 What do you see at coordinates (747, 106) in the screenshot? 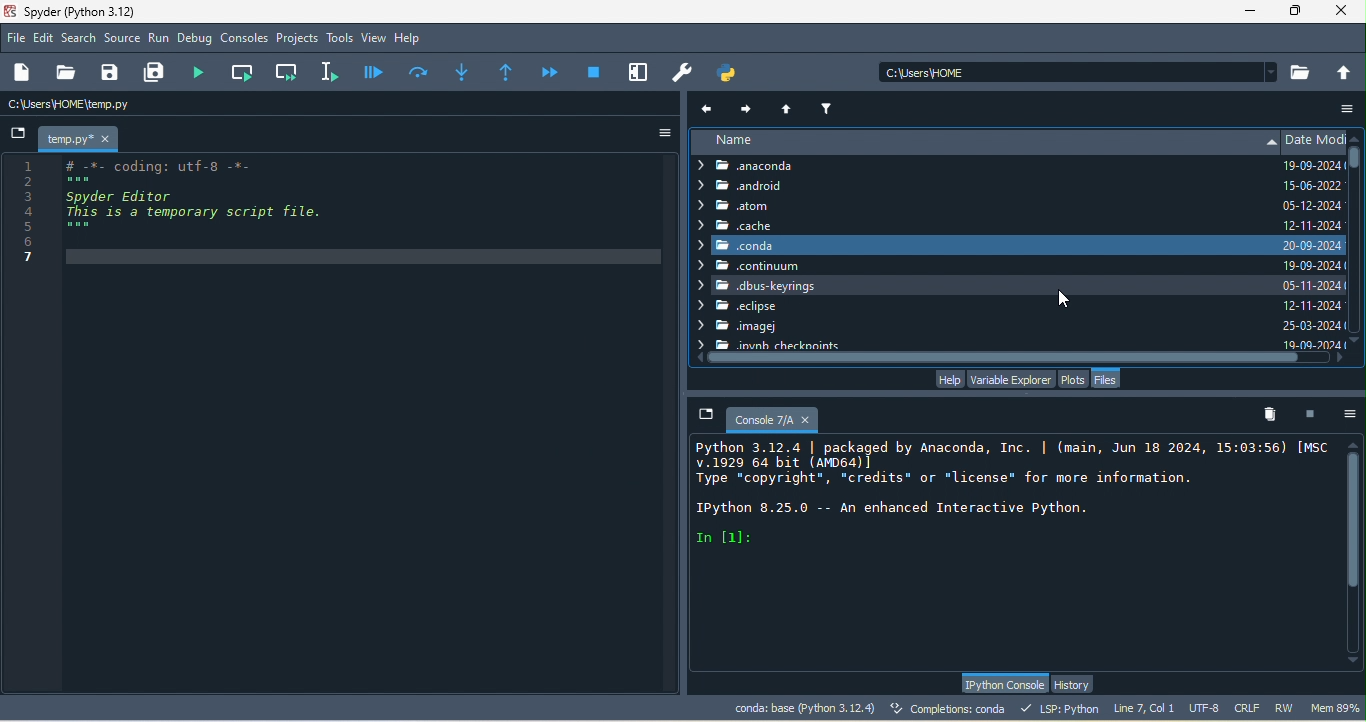
I see `next` at bounding box center [747, 106].